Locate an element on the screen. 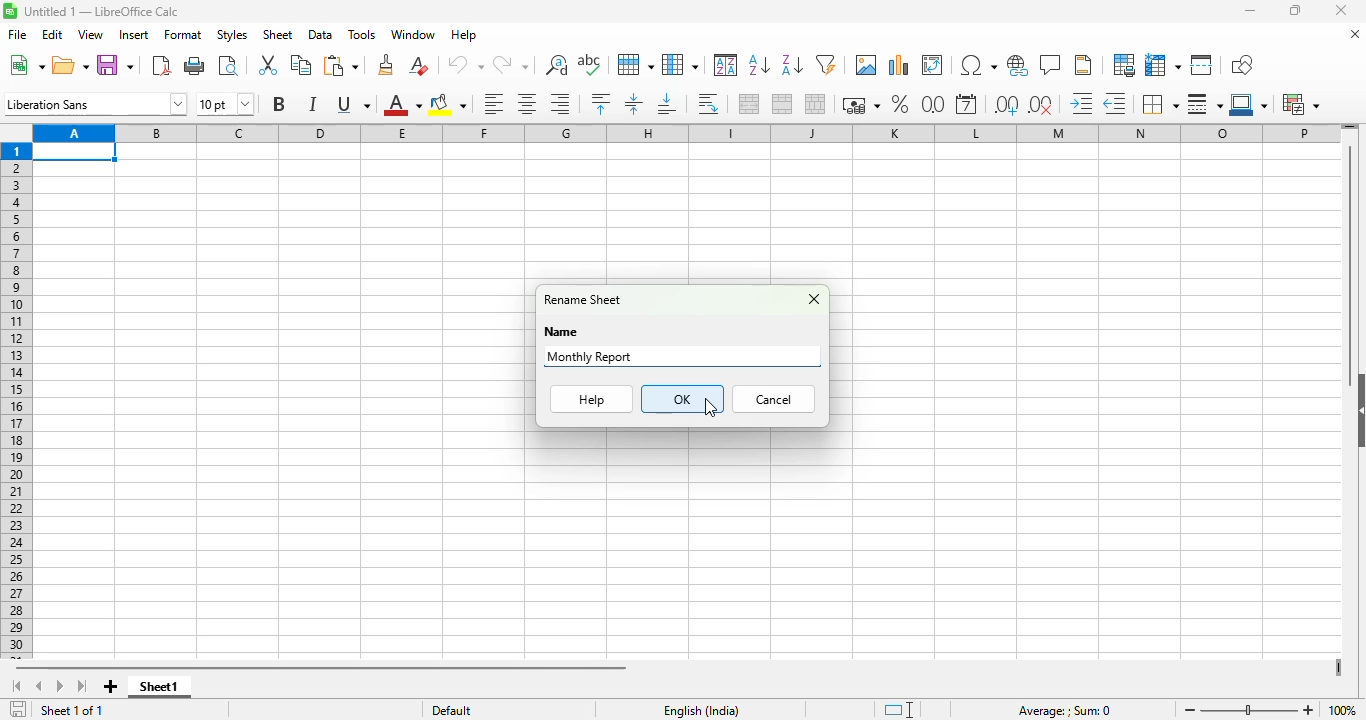  insert is located at coordinates (133, 35).